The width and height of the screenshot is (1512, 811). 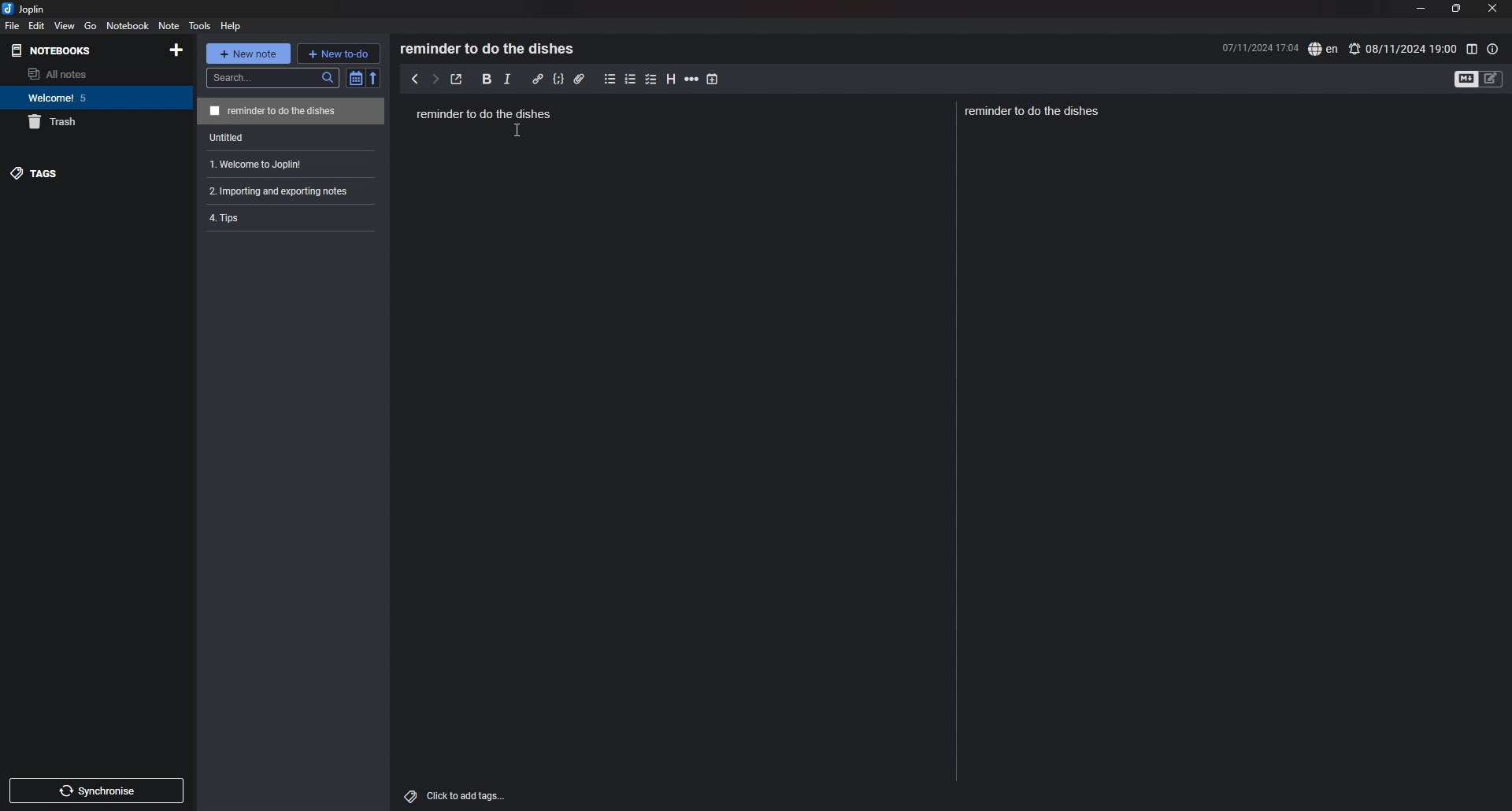 I want to click on date and time, so click(x=1251, y=46).